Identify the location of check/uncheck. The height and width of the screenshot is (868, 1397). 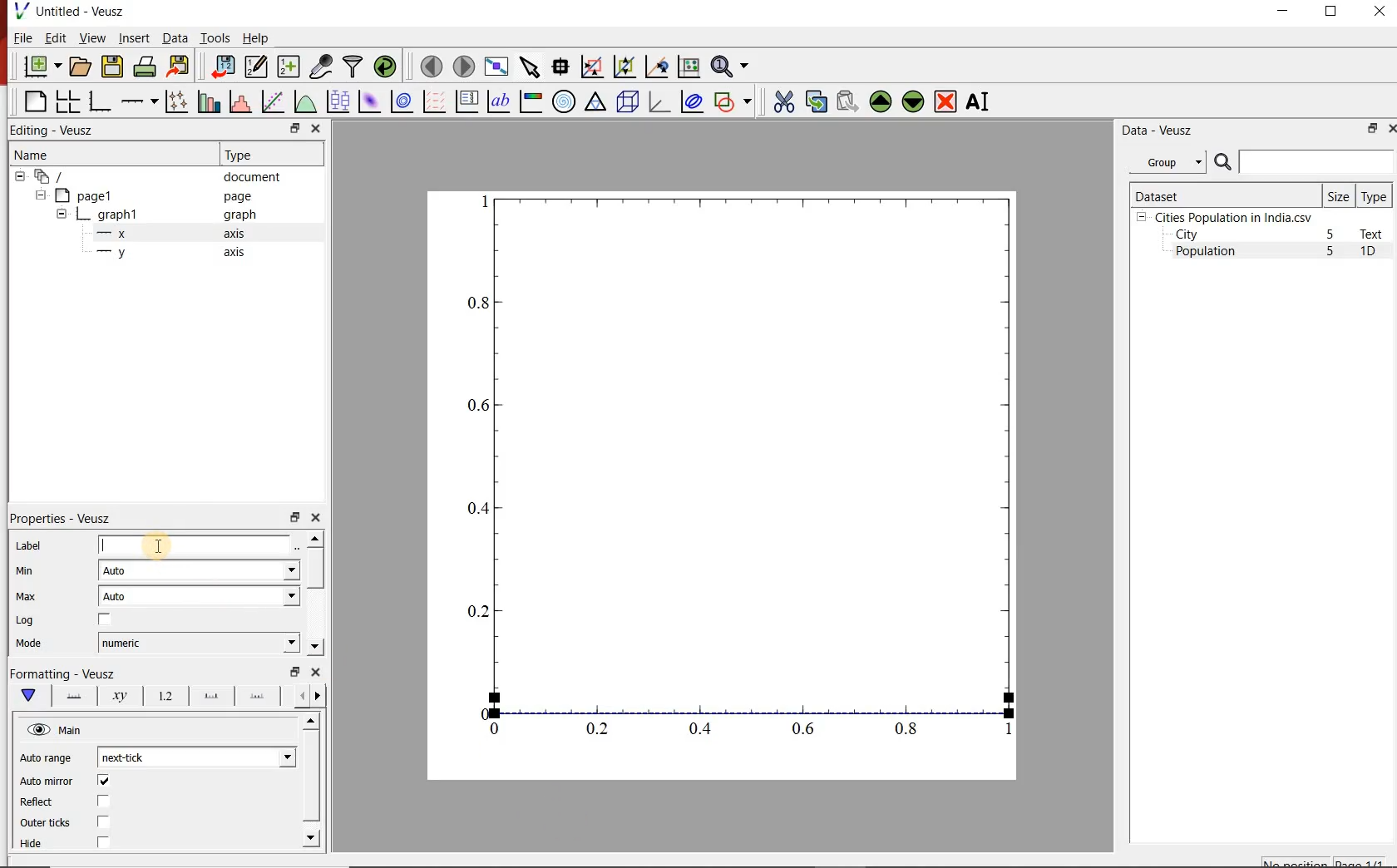
(103, 823).